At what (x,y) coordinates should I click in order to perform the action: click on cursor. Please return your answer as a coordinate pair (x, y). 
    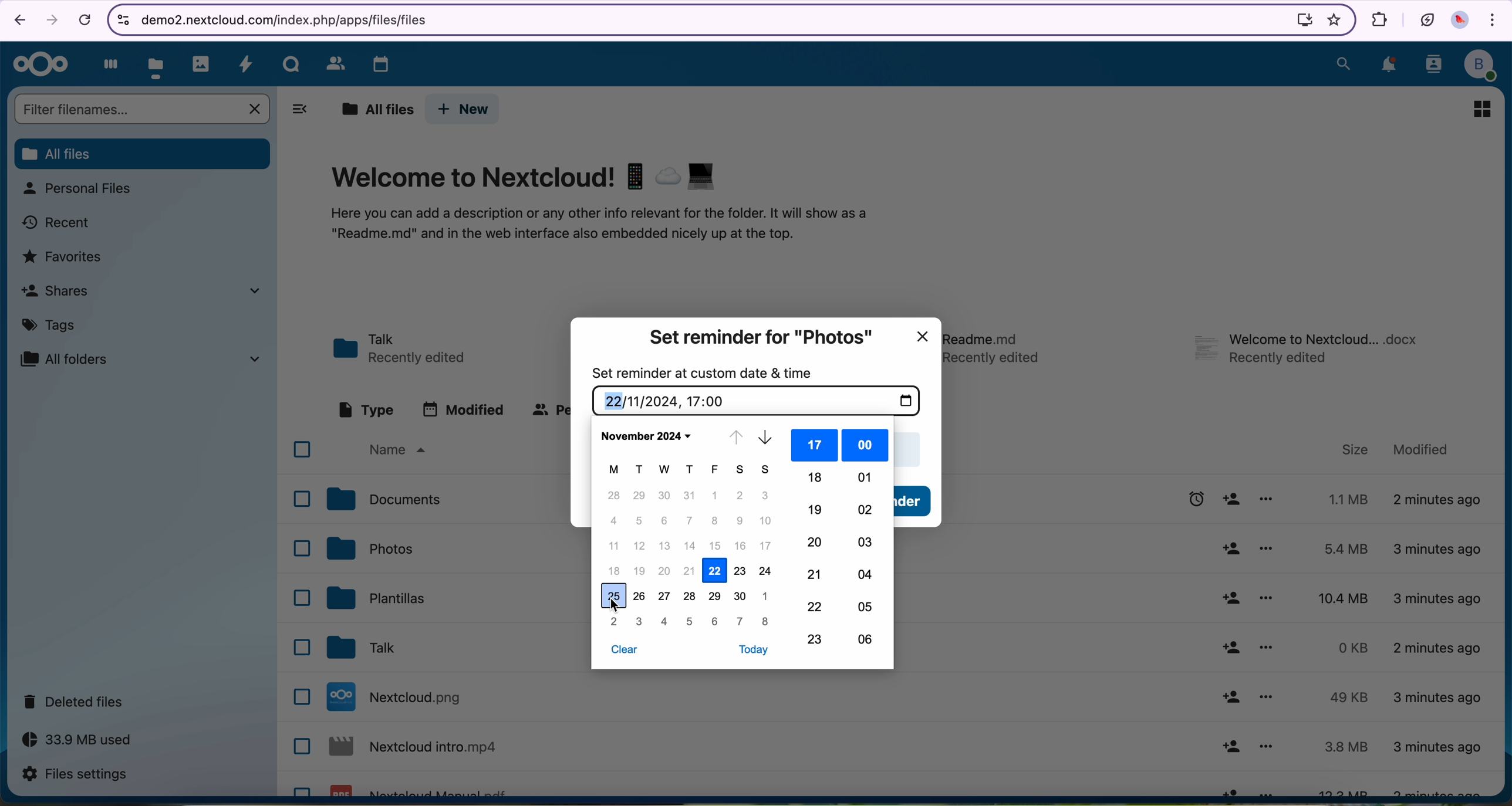
    Looking at the image, I should click on (1238, 503).